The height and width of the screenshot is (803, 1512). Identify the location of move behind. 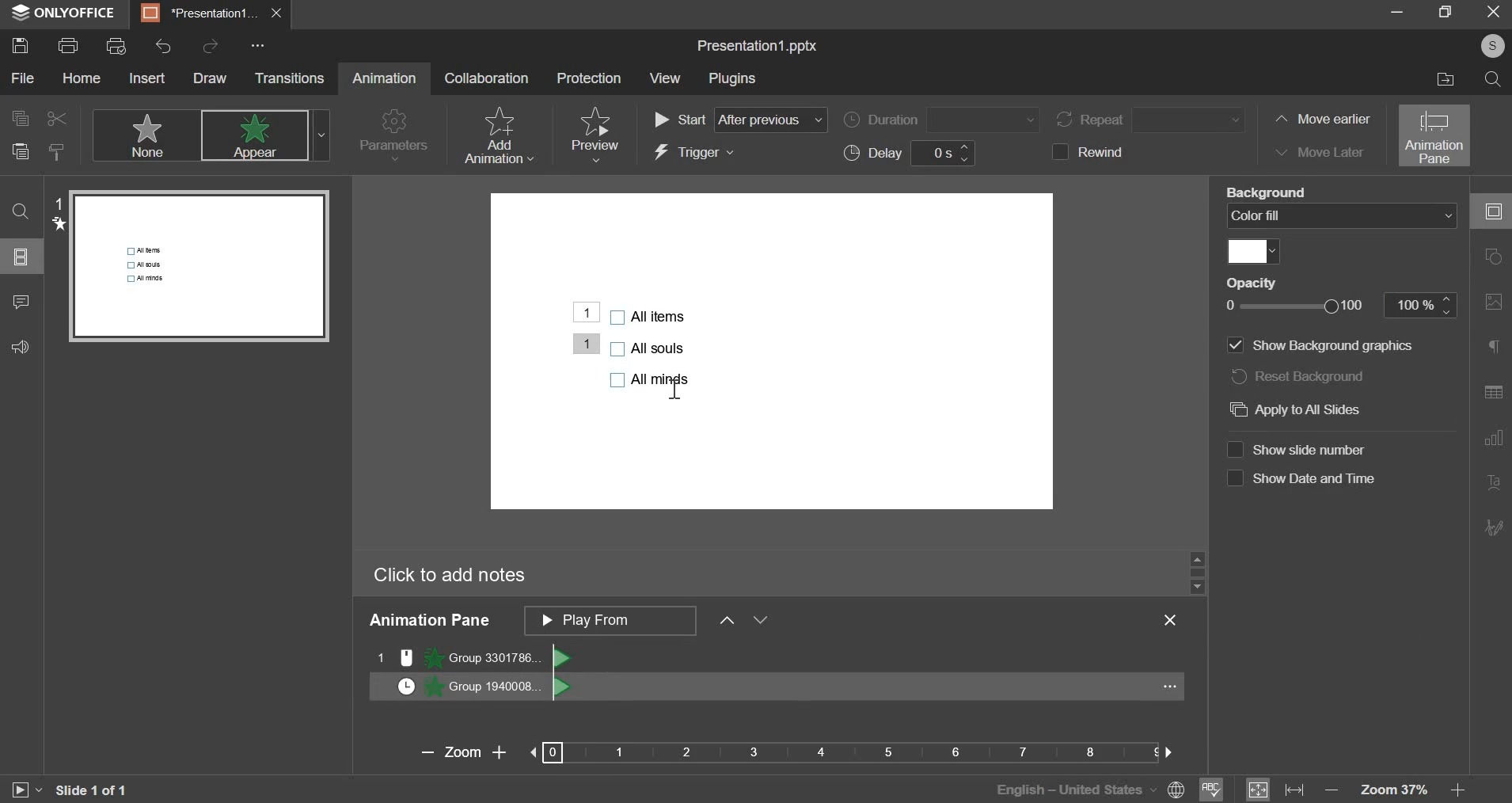
(760, 619).